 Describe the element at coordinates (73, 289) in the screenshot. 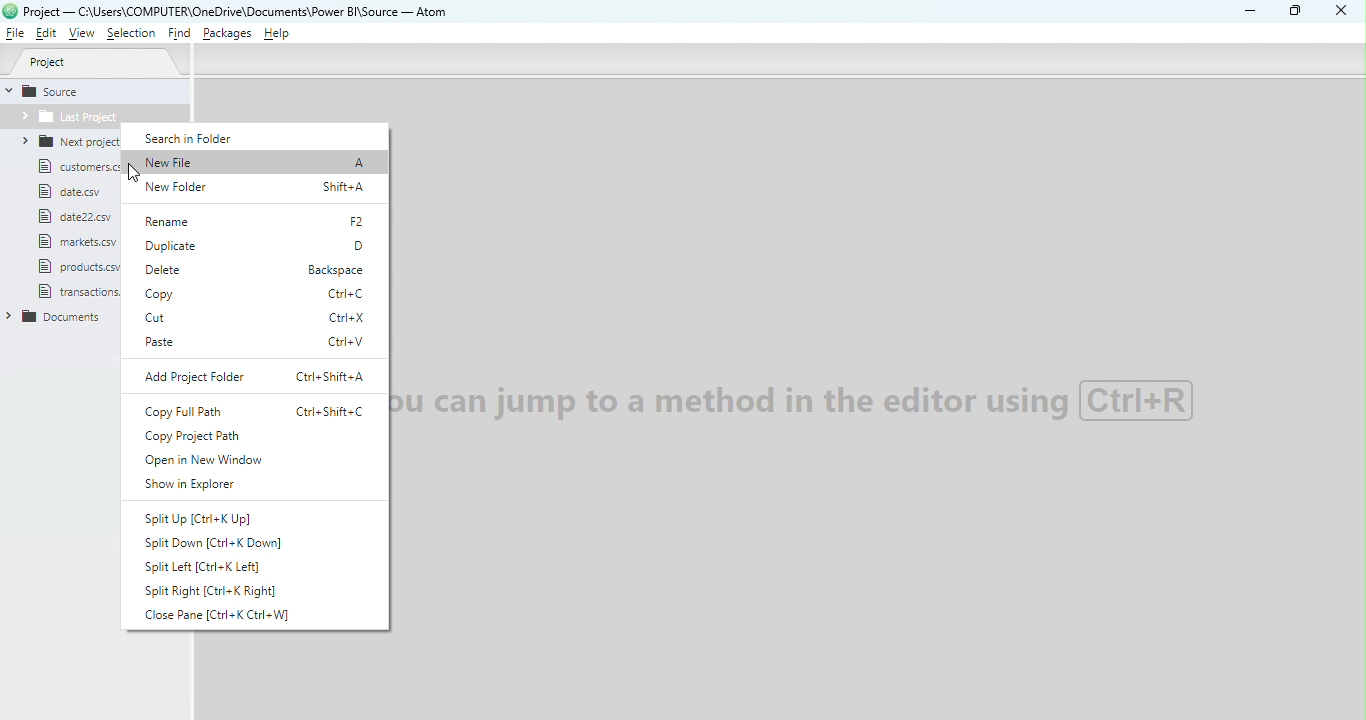

I see `file` at that location.